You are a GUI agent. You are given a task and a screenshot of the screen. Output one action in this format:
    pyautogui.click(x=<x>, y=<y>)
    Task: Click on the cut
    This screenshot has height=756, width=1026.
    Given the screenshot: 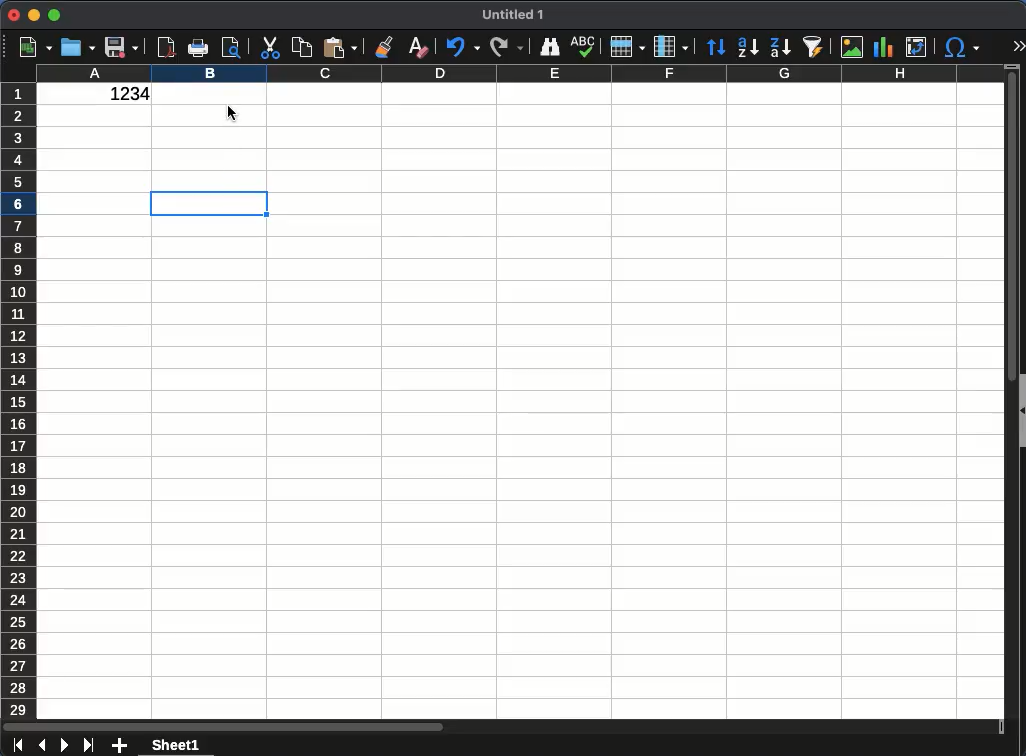 What is the action you would take?
    pyautogui.click(x=268, y=48)
    